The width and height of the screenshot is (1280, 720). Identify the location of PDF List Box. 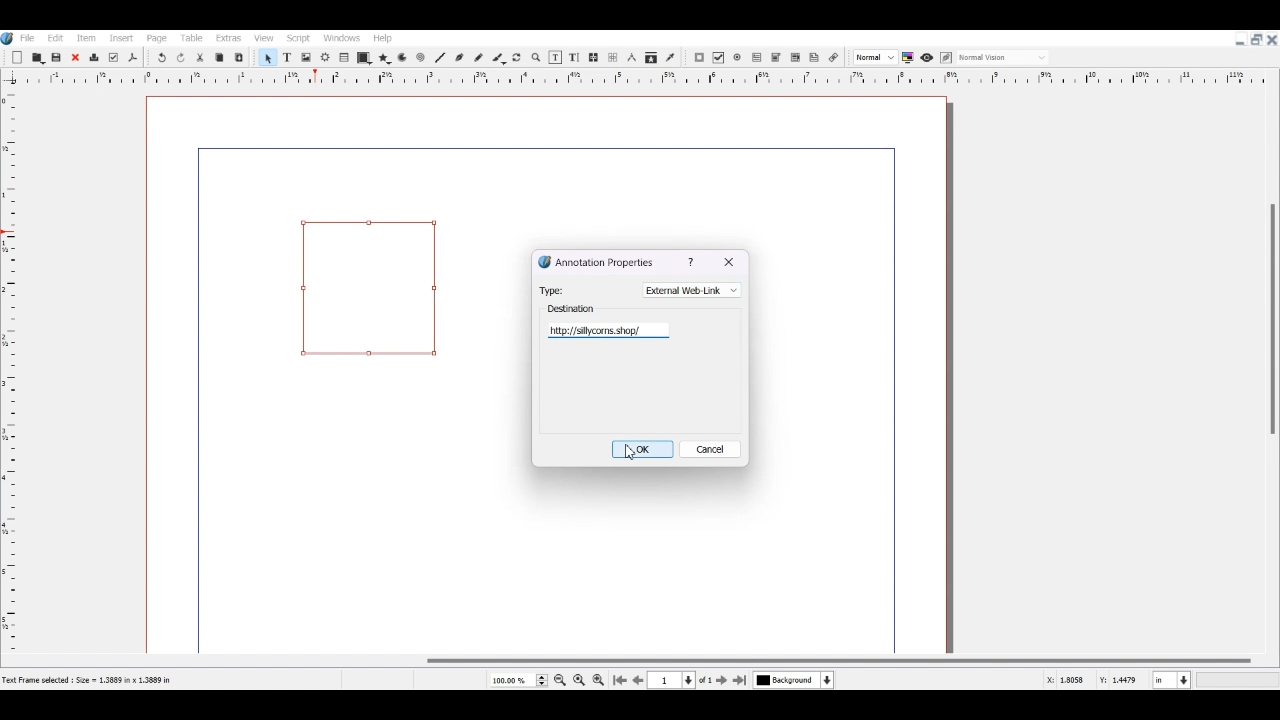
(795, 58).